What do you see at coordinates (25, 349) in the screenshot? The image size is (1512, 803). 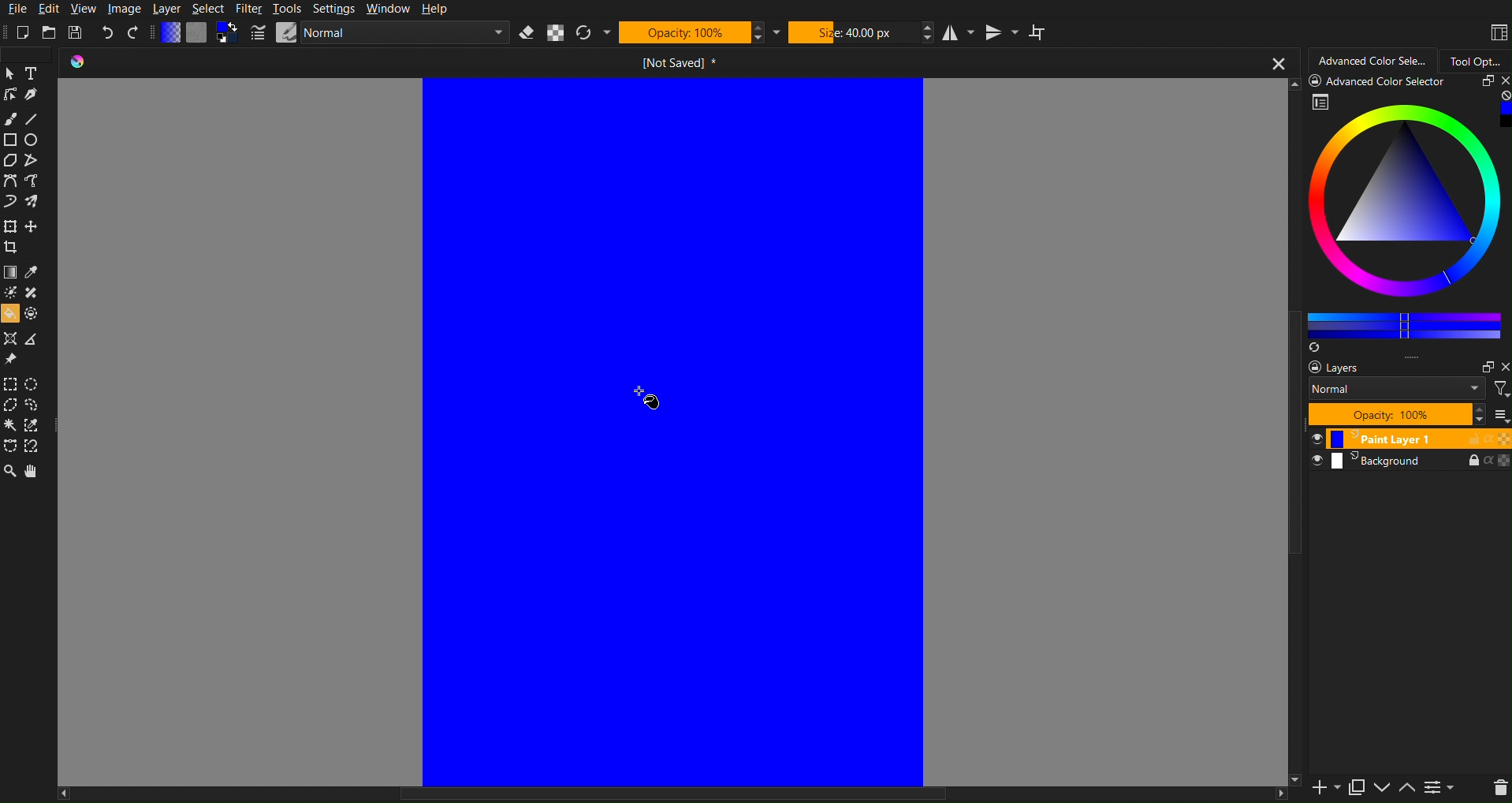 I see `Ruler Tools` at bounding box center [25, 349].